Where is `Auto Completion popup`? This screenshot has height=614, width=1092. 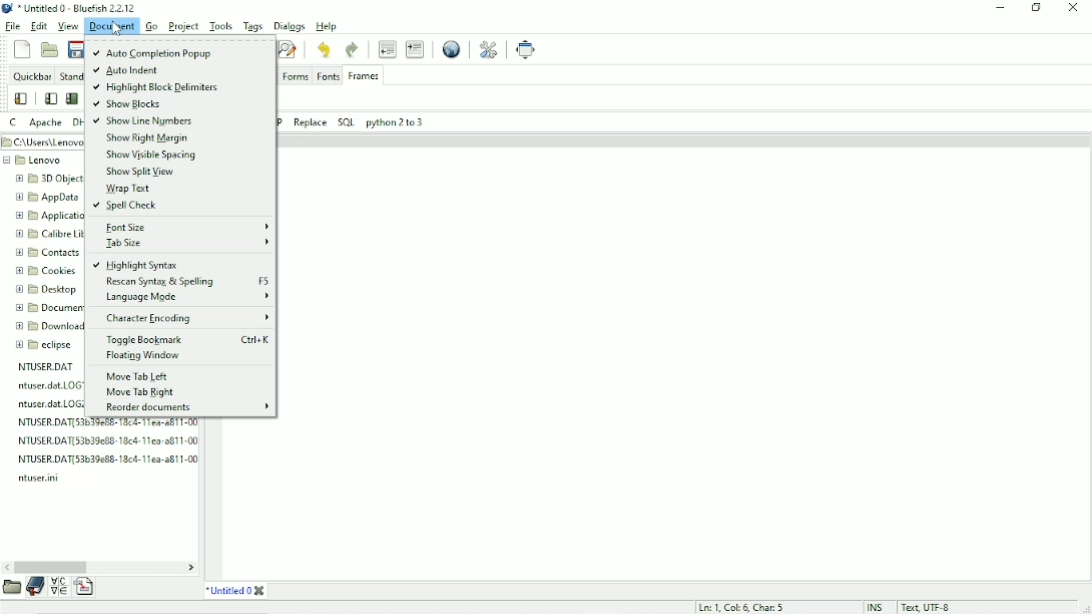
Auto Completion popup is located at coordinates (153, 51).